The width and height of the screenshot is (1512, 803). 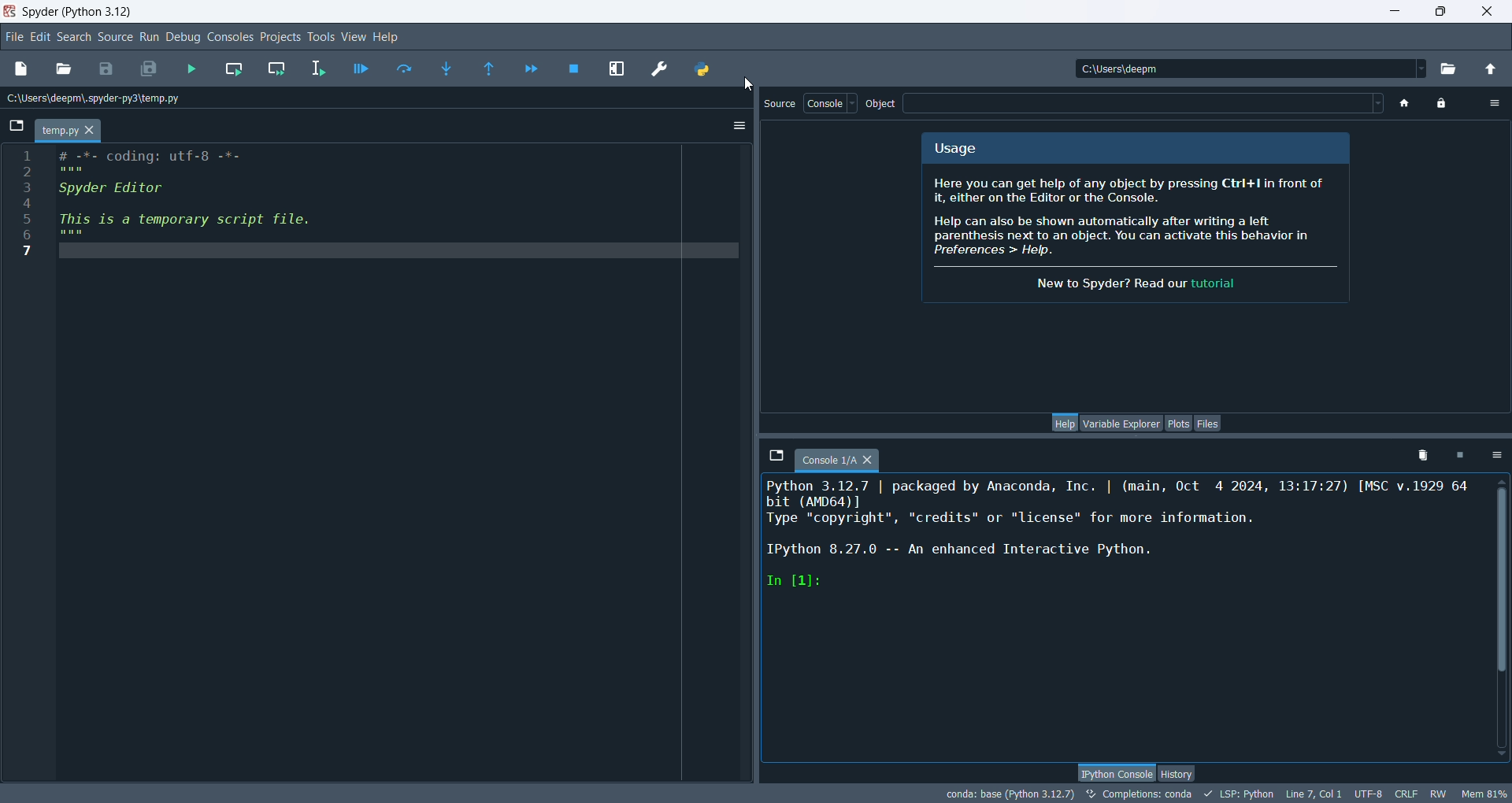 I want to click on conda:base, so click(x=1010, y=794).